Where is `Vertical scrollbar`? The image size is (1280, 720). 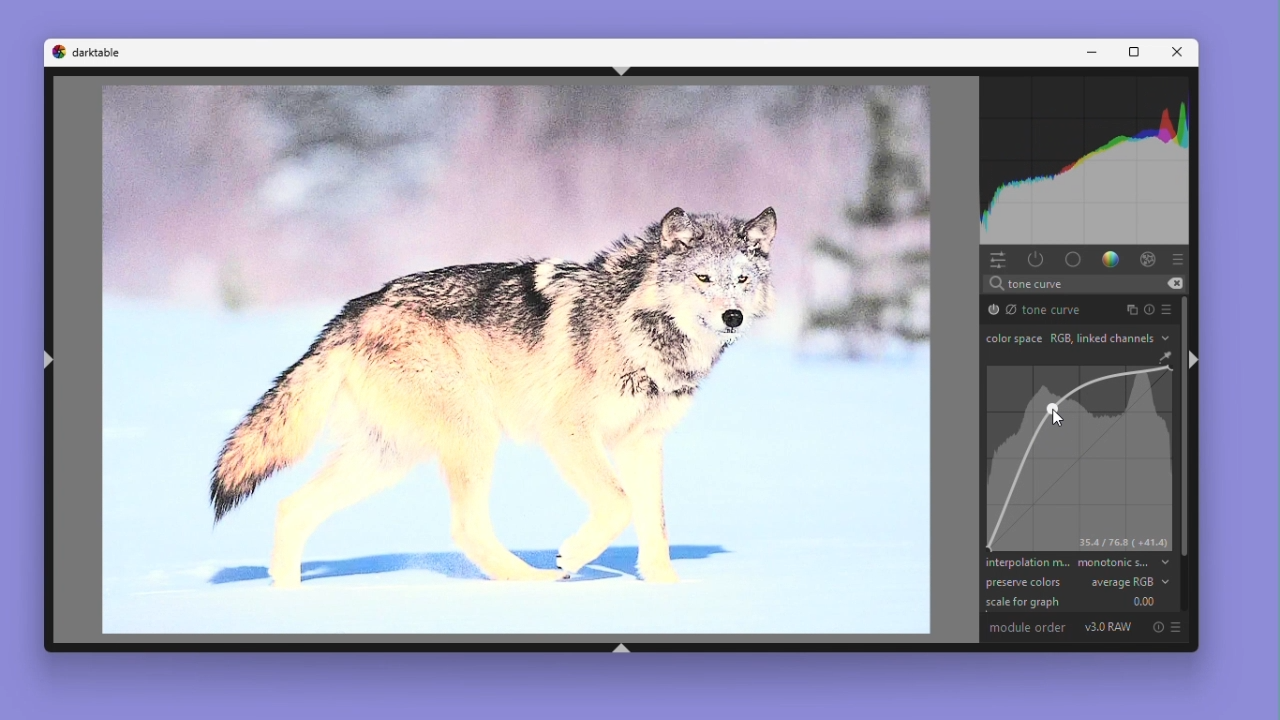 Vertical scrollbar is located at coordinates (1182, 427).